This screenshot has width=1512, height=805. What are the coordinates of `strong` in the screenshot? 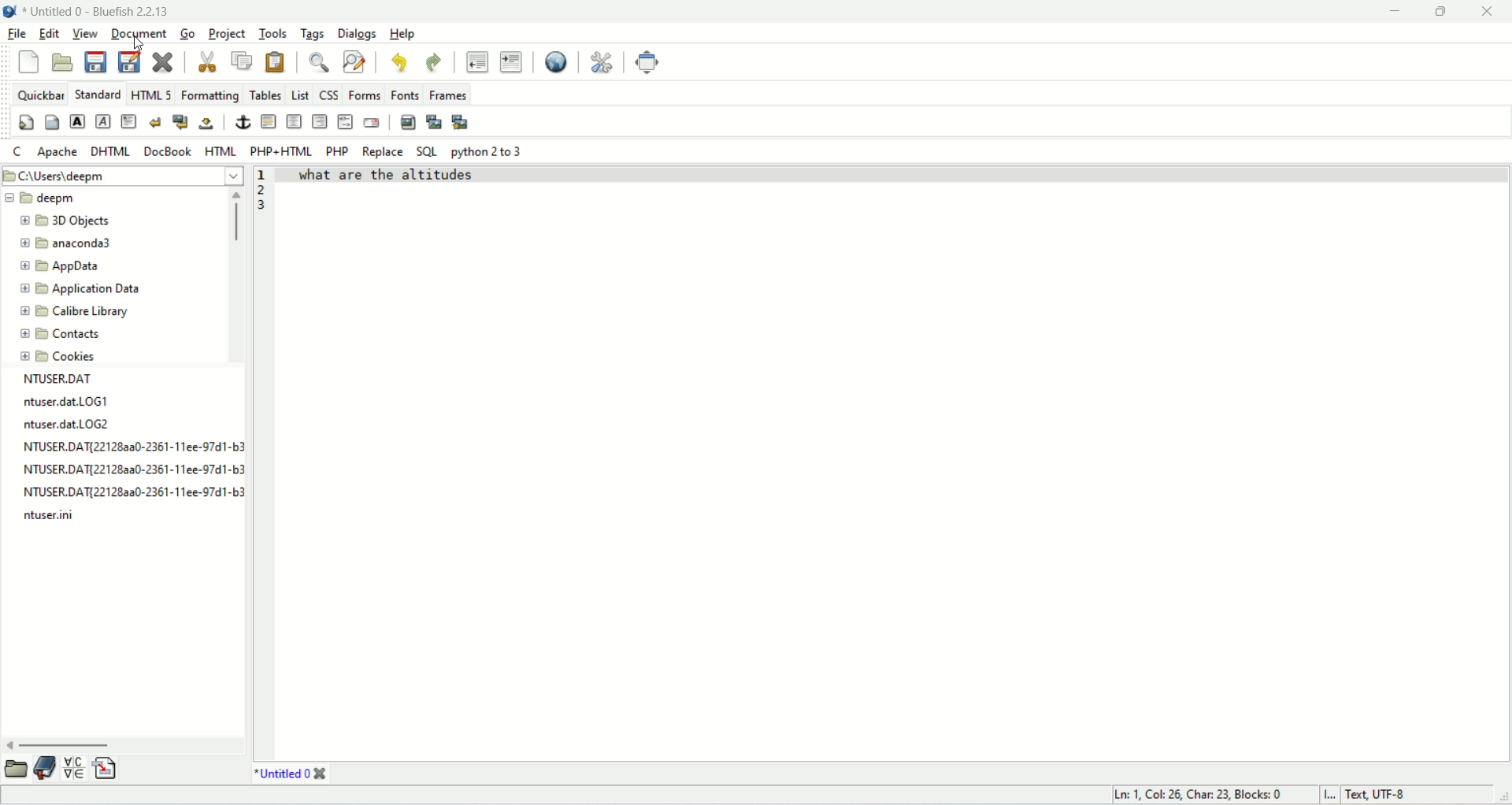 It's located at (77, 121).